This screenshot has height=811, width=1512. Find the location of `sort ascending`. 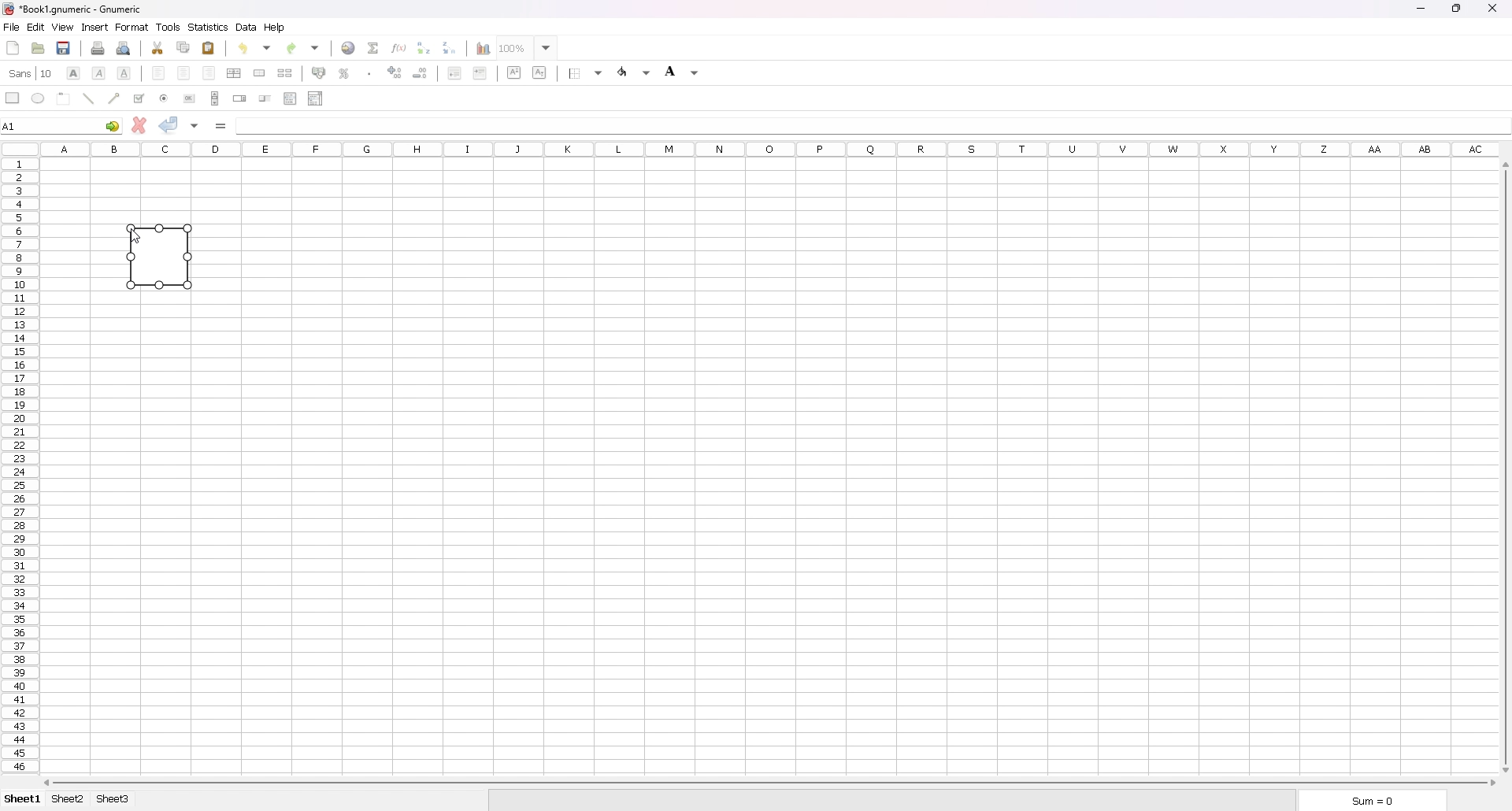

sort ascending is located at coordinates (424, 47).